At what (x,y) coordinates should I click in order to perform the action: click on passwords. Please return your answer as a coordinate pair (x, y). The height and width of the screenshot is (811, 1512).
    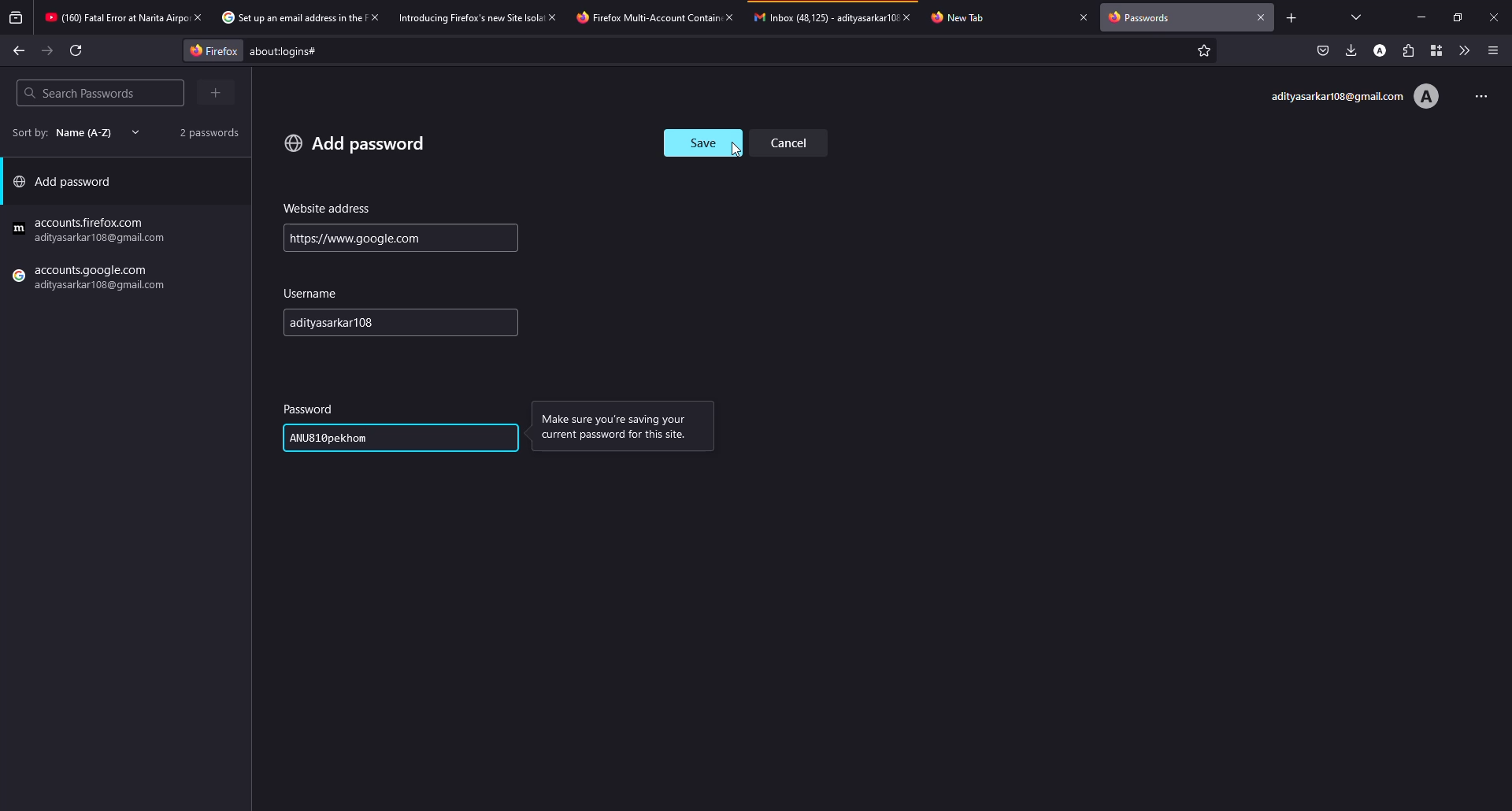
    Looking at the image, I should click on (1143, 19).